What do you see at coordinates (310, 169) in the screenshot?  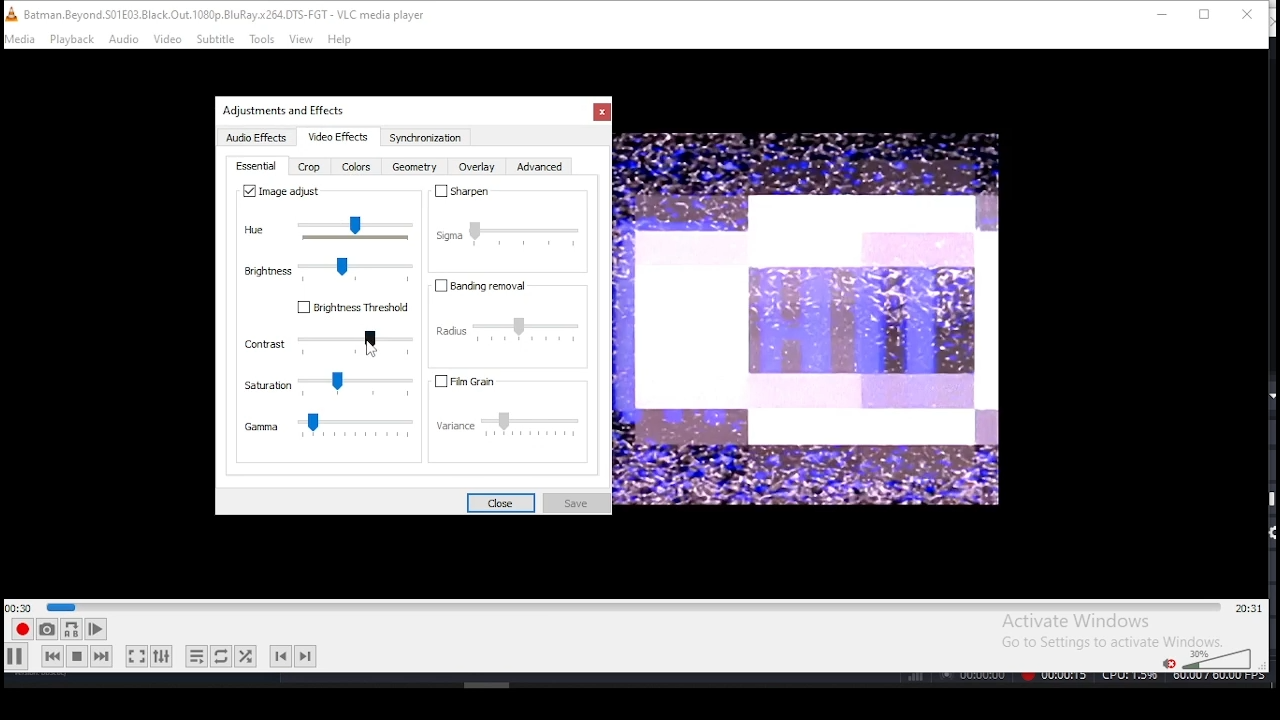 I see `crop` at bounding box center [310, 169].